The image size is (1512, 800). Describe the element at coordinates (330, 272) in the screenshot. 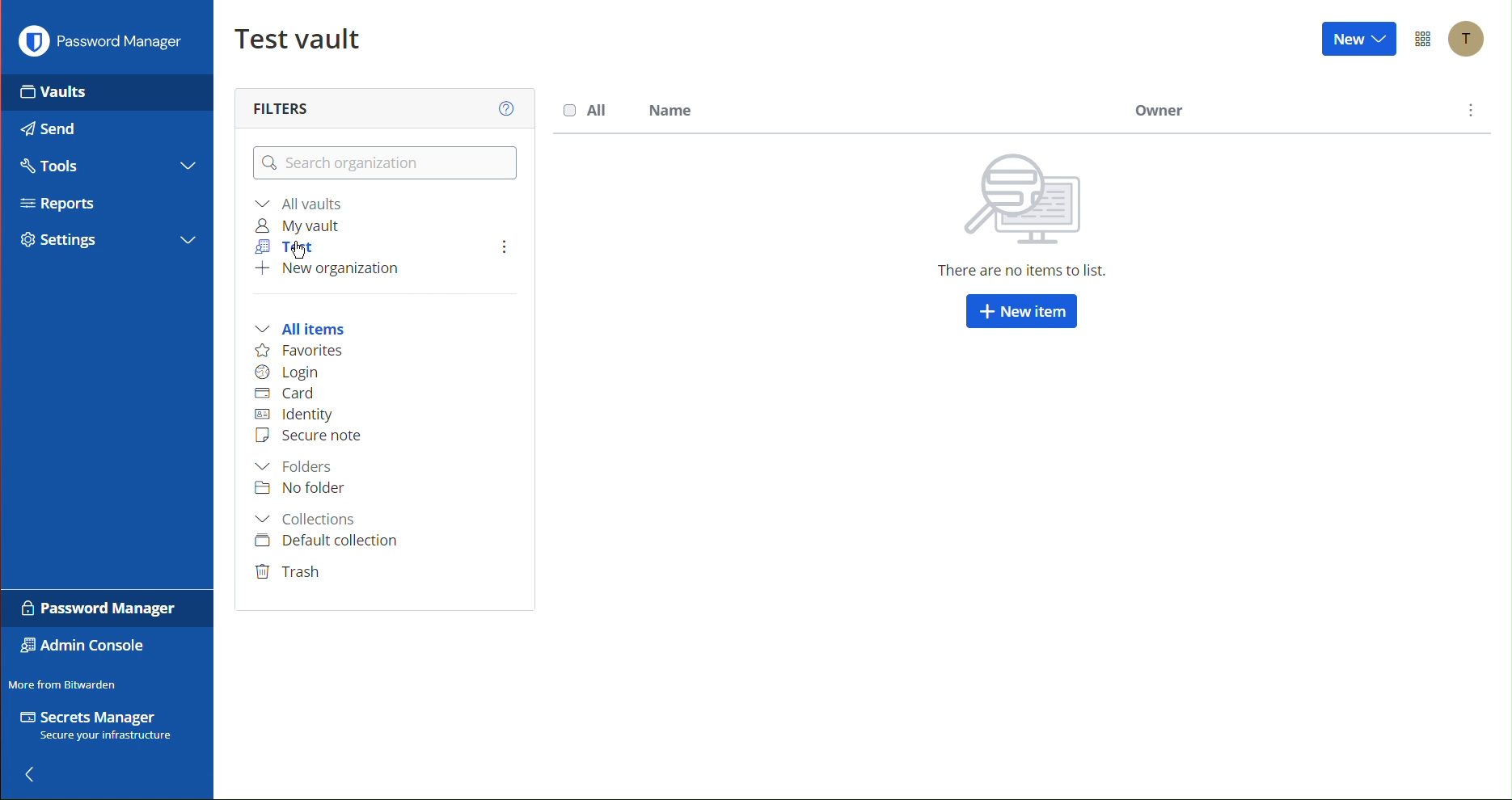

I see `New organization` at that location.